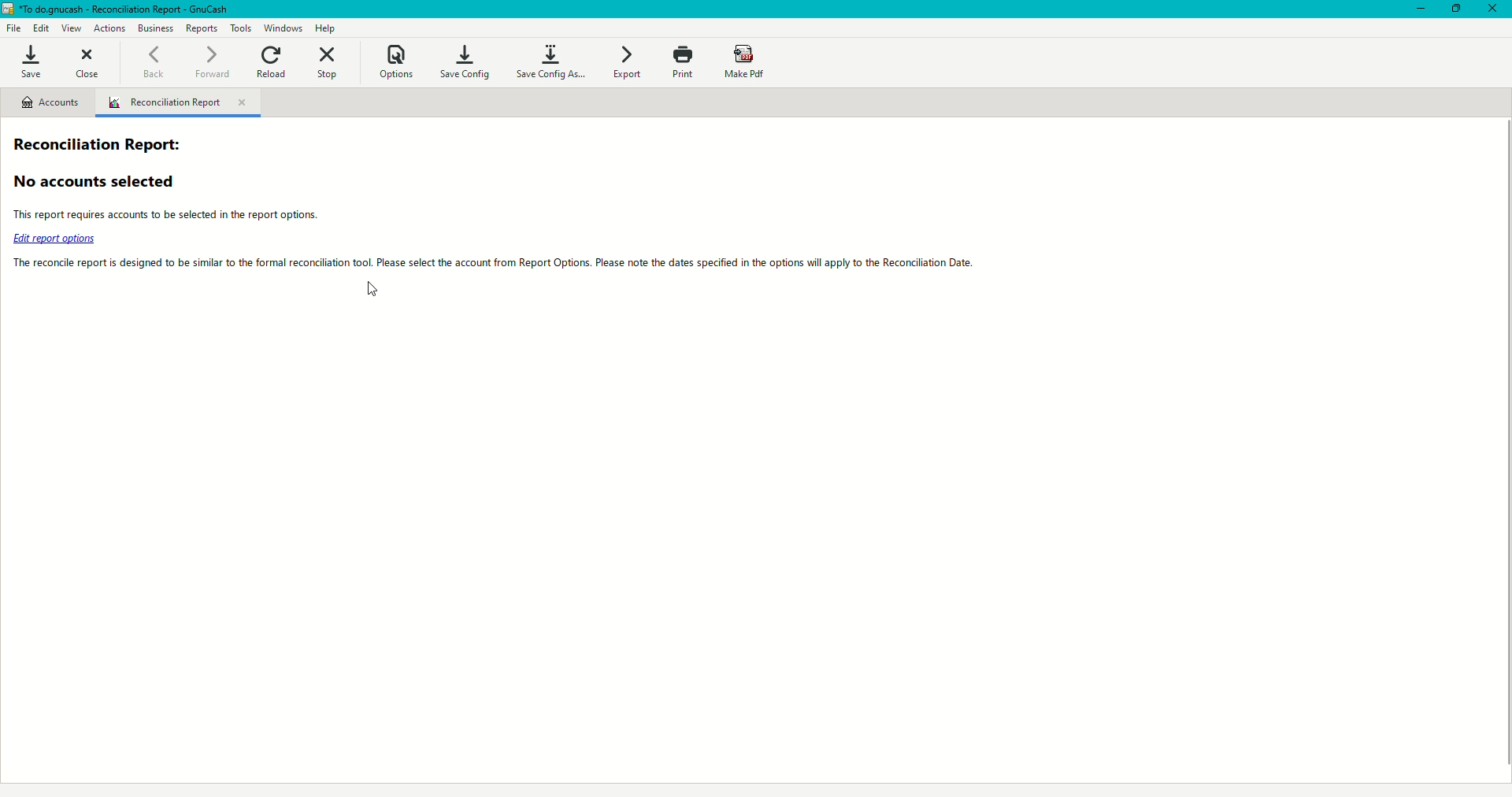 This screenshot has width=1512, height=797. Describe the element at coordinates (198, 28) in the screenshot. I see `Reports` at that location.